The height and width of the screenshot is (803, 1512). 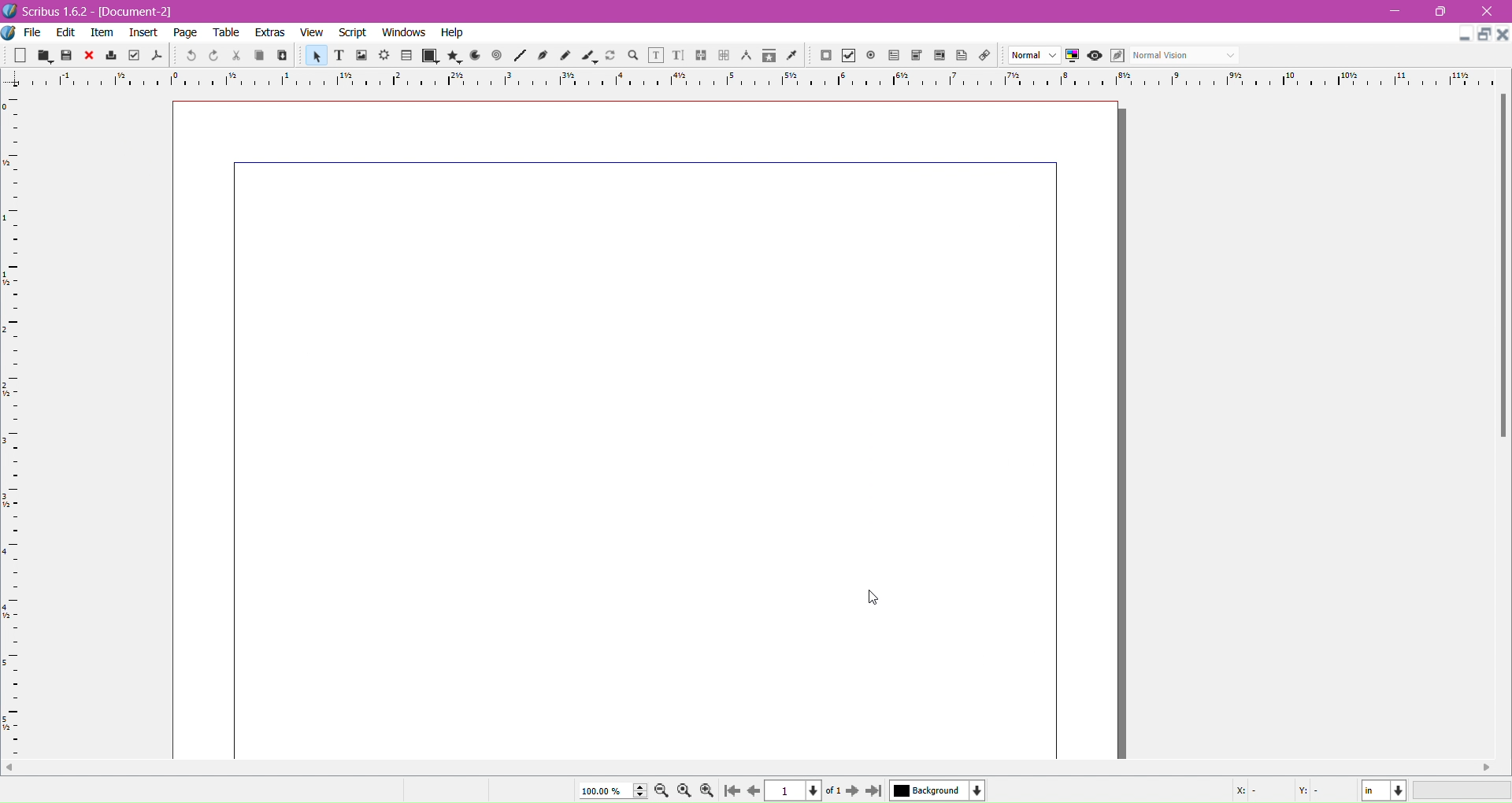 I want to click on previous, so click(x=754, y=793).